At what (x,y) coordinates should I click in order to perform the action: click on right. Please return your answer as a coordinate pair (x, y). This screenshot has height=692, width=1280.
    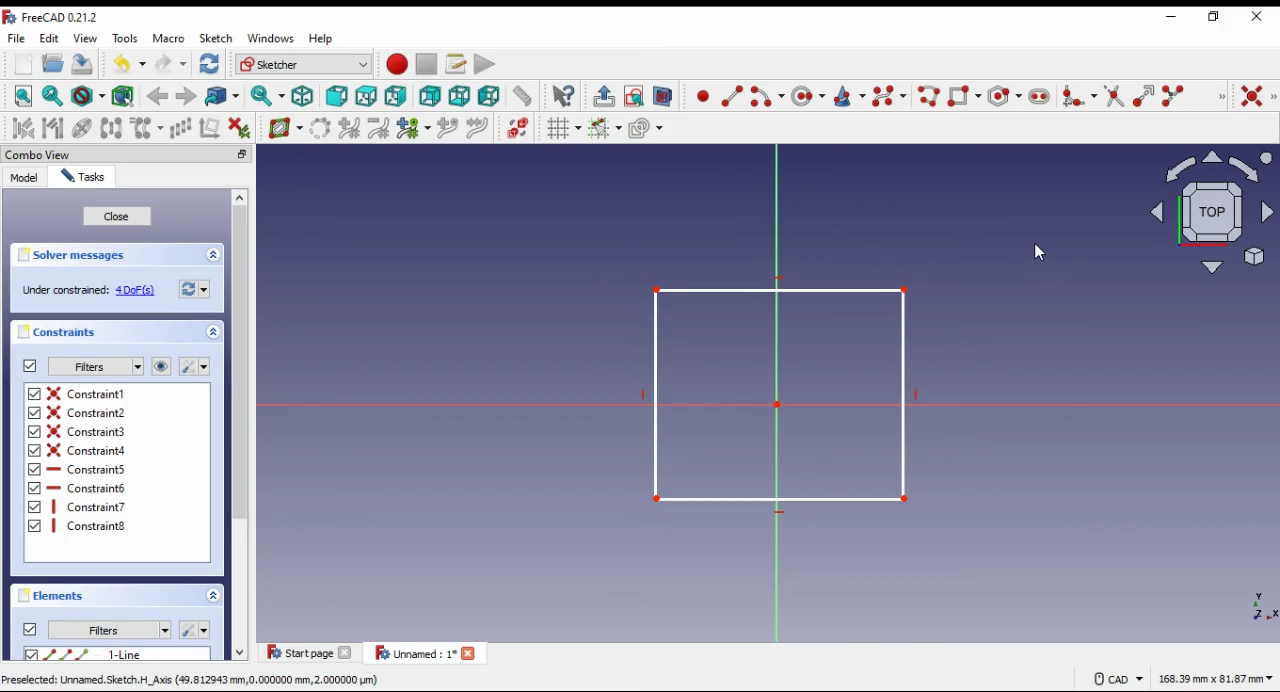
    Looking at the image, I should click on (395, 96).